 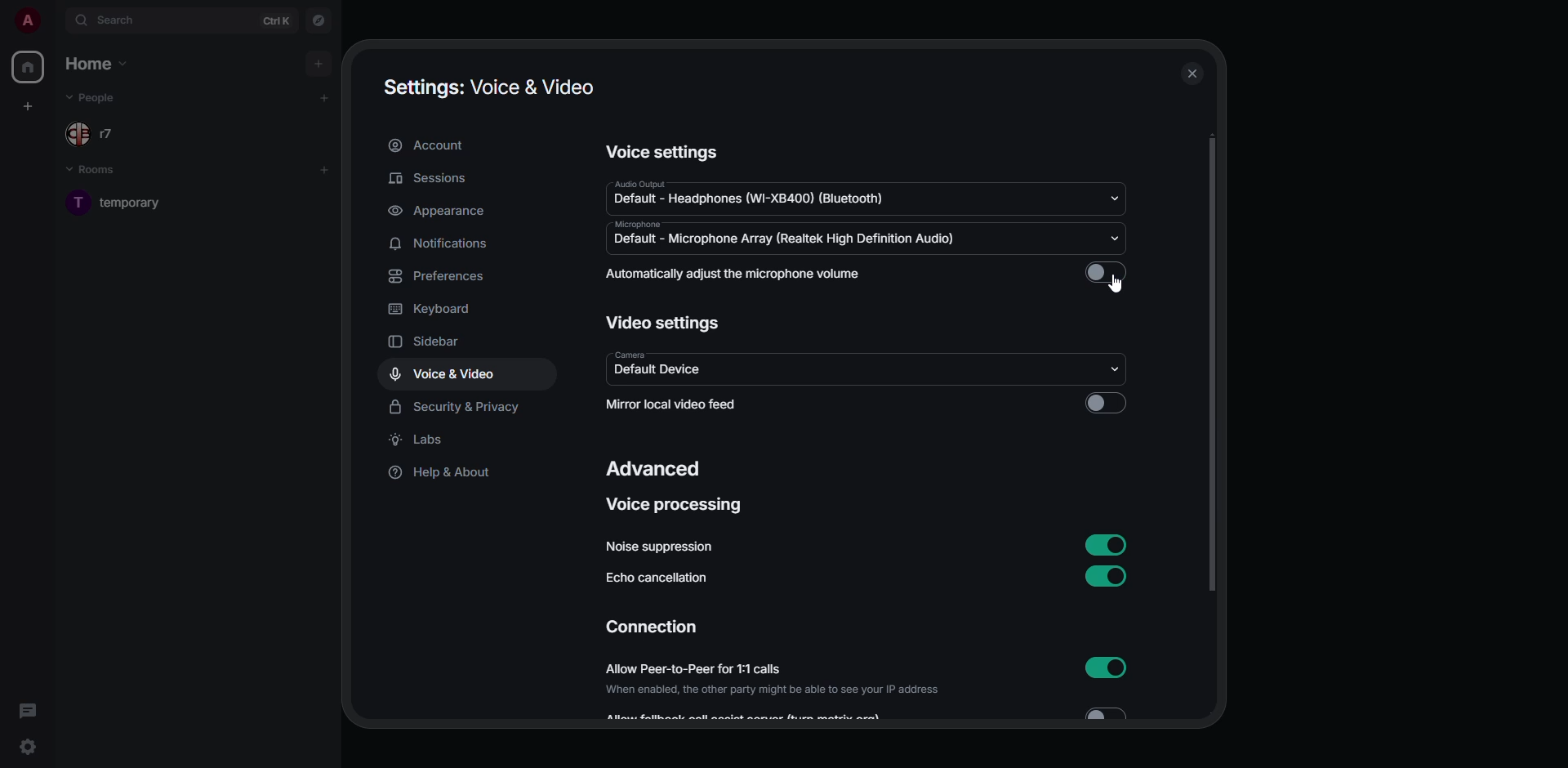 What do you see at coordinates (1211, 363) in the screenshot?
I see `scroll bar` at bounding box center [1211, 363].